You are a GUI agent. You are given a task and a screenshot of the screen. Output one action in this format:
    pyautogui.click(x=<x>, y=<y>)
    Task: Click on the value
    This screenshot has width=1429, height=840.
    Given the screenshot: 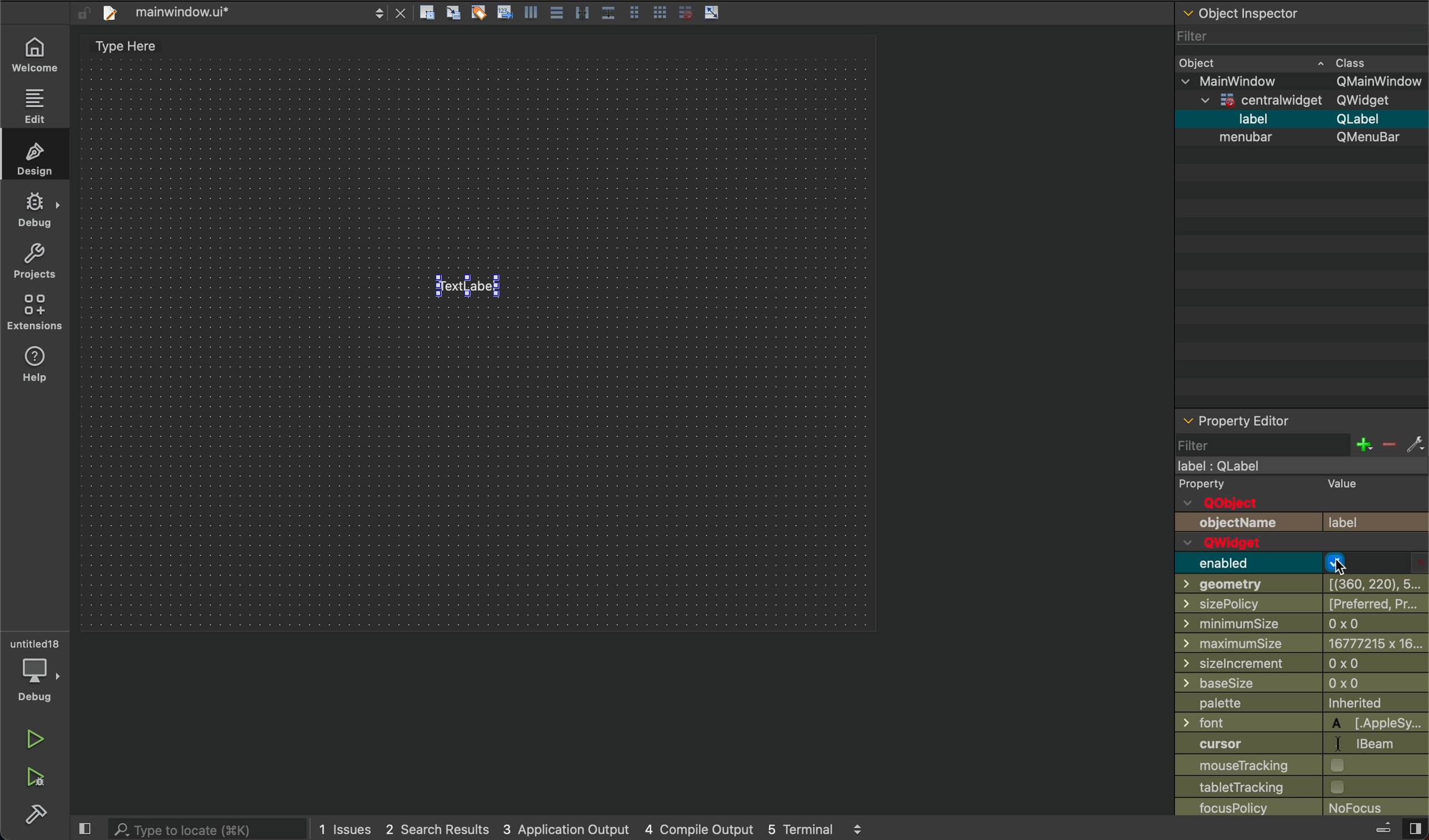 What is the action you would take?
    pyautogui.click(x=1352, y=484)
    